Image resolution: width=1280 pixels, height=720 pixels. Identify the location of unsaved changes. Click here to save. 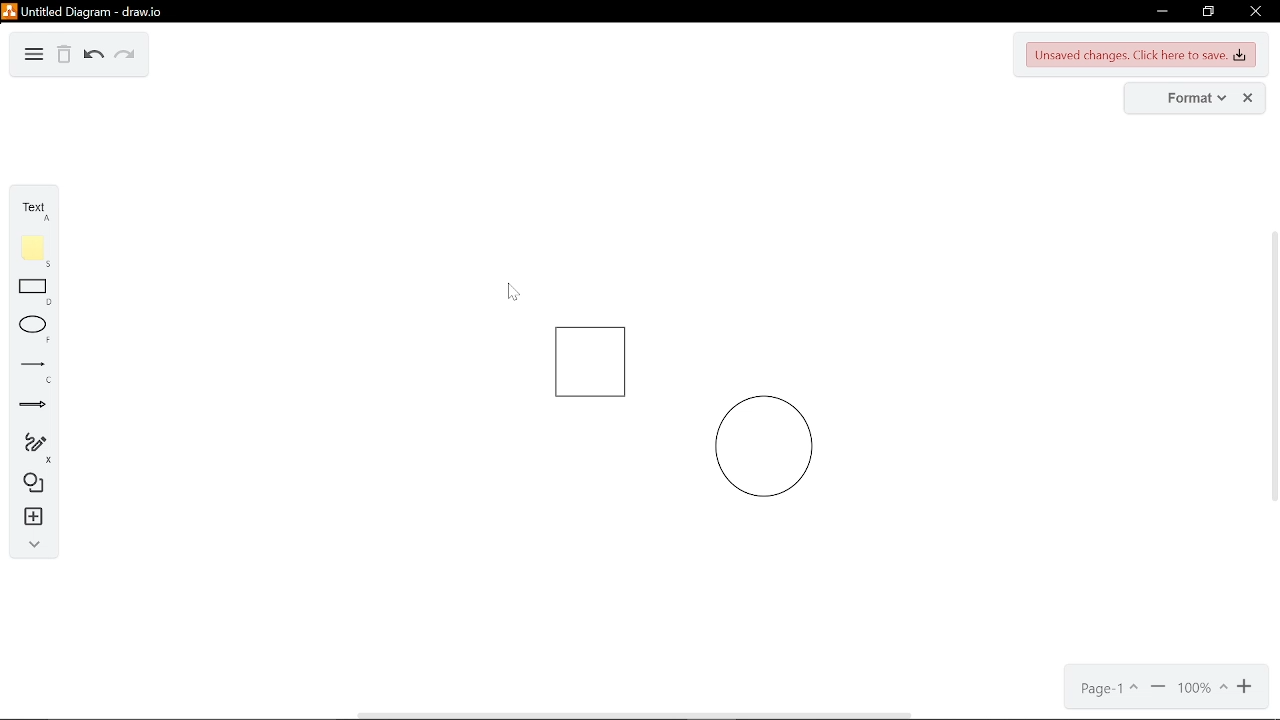
(1139, 56).